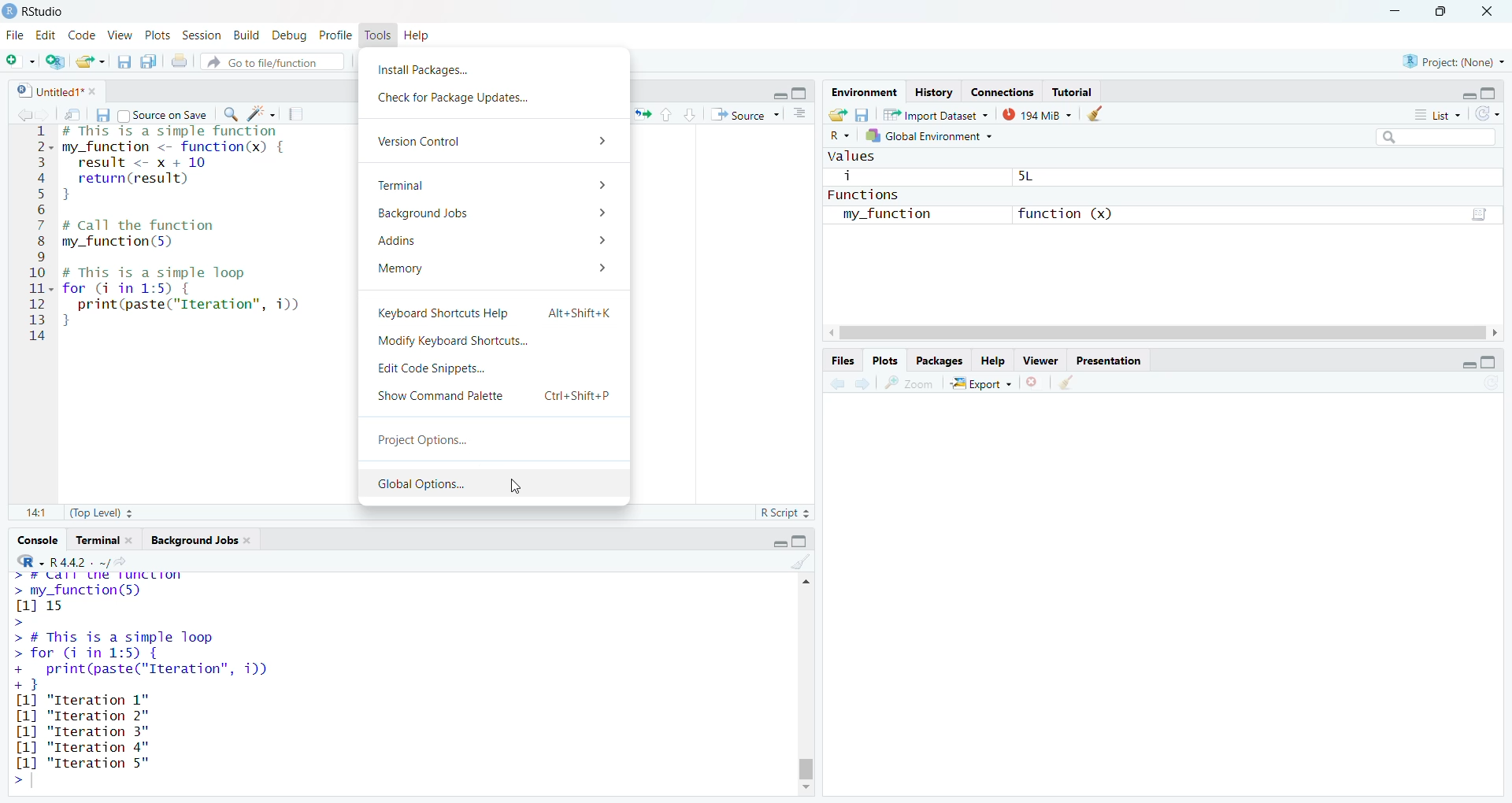 Image resolution: width=1512 pixels, height=803 pixels. I want to click on maximize, so click(1496, 90).